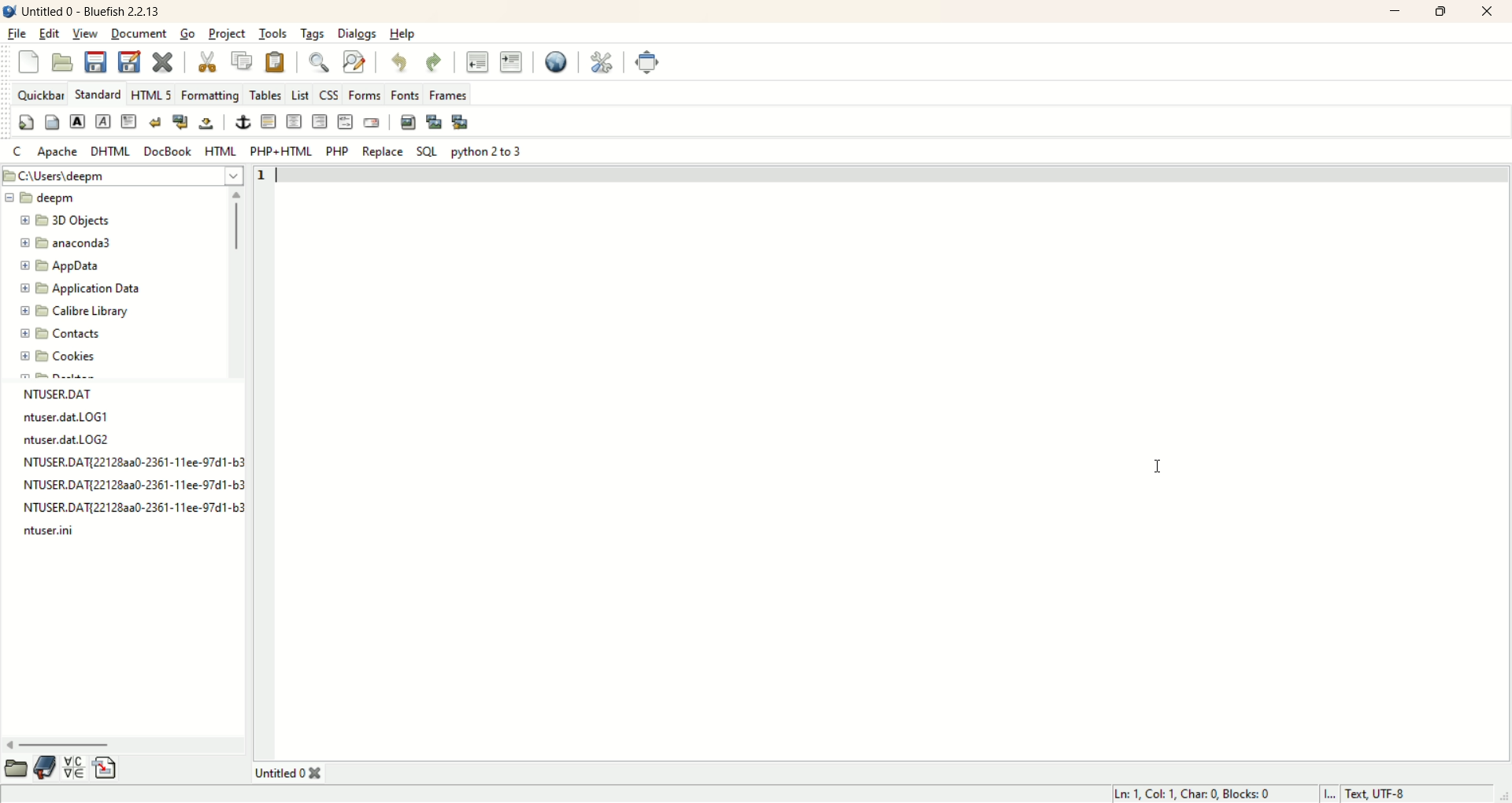 The image size is (1512, 803). Describe the element at coordinates (345, 122) in the screenshot. I see `HTML comment` at that location.